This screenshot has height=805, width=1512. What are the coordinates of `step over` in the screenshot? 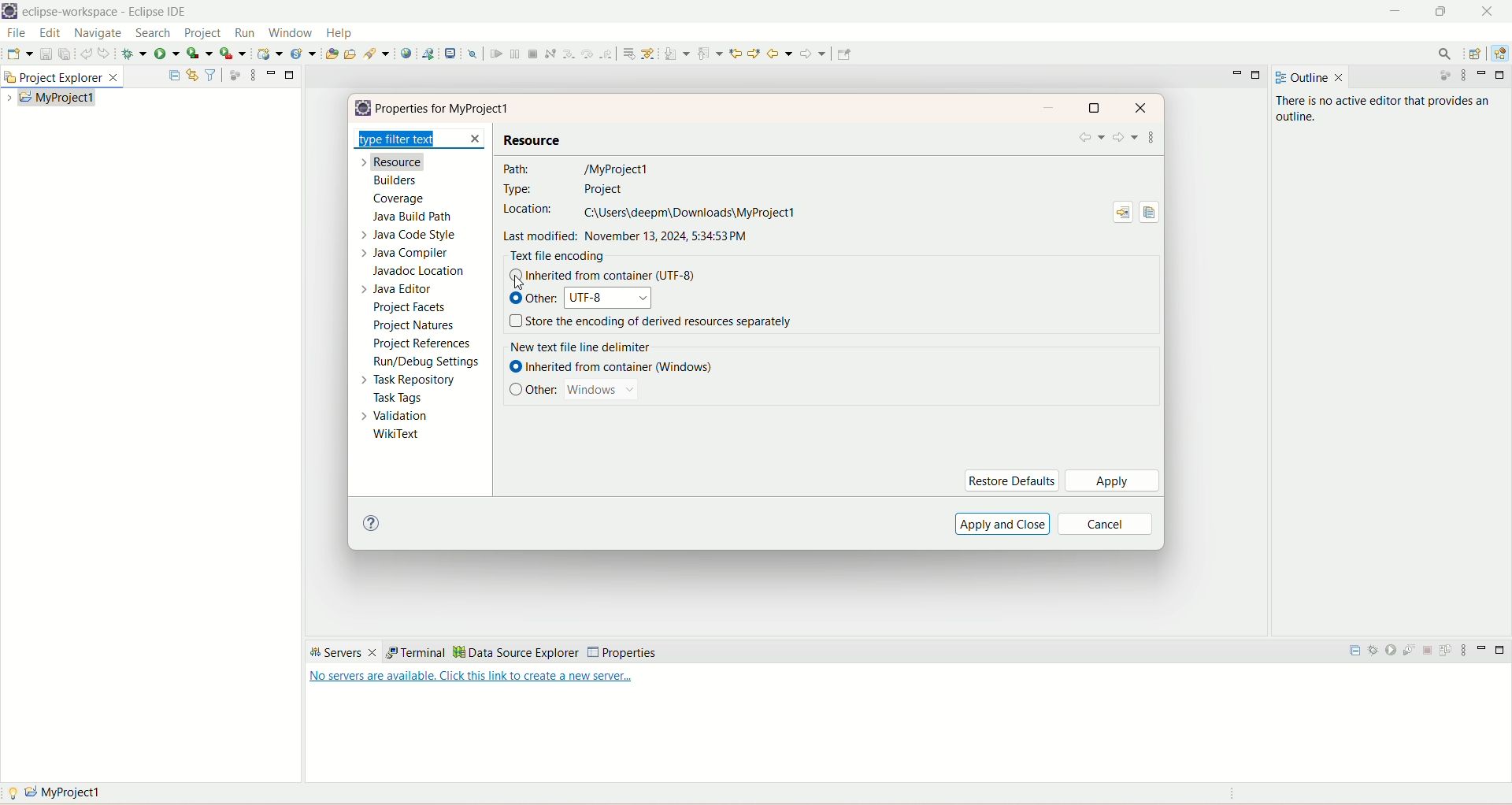 It's located at (587, 54).